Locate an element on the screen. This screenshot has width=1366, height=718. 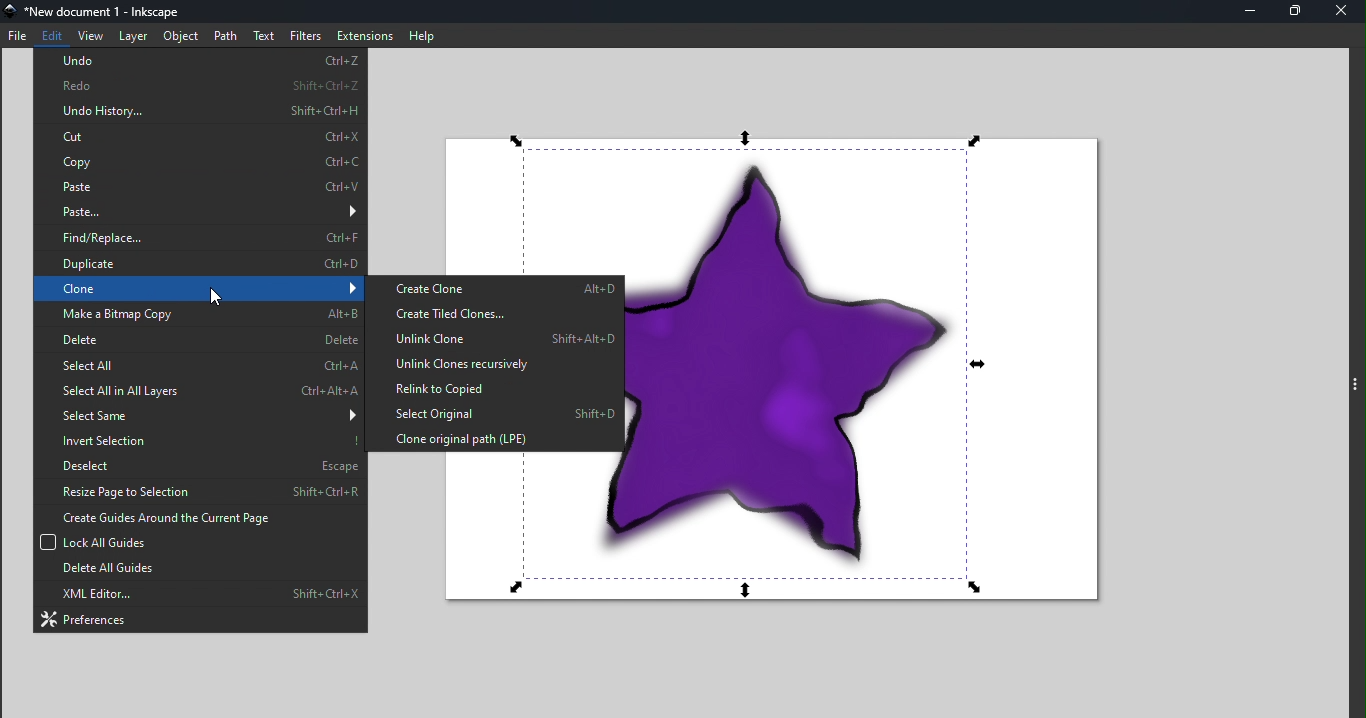
Invert selection is located at coordinates (197, 438).